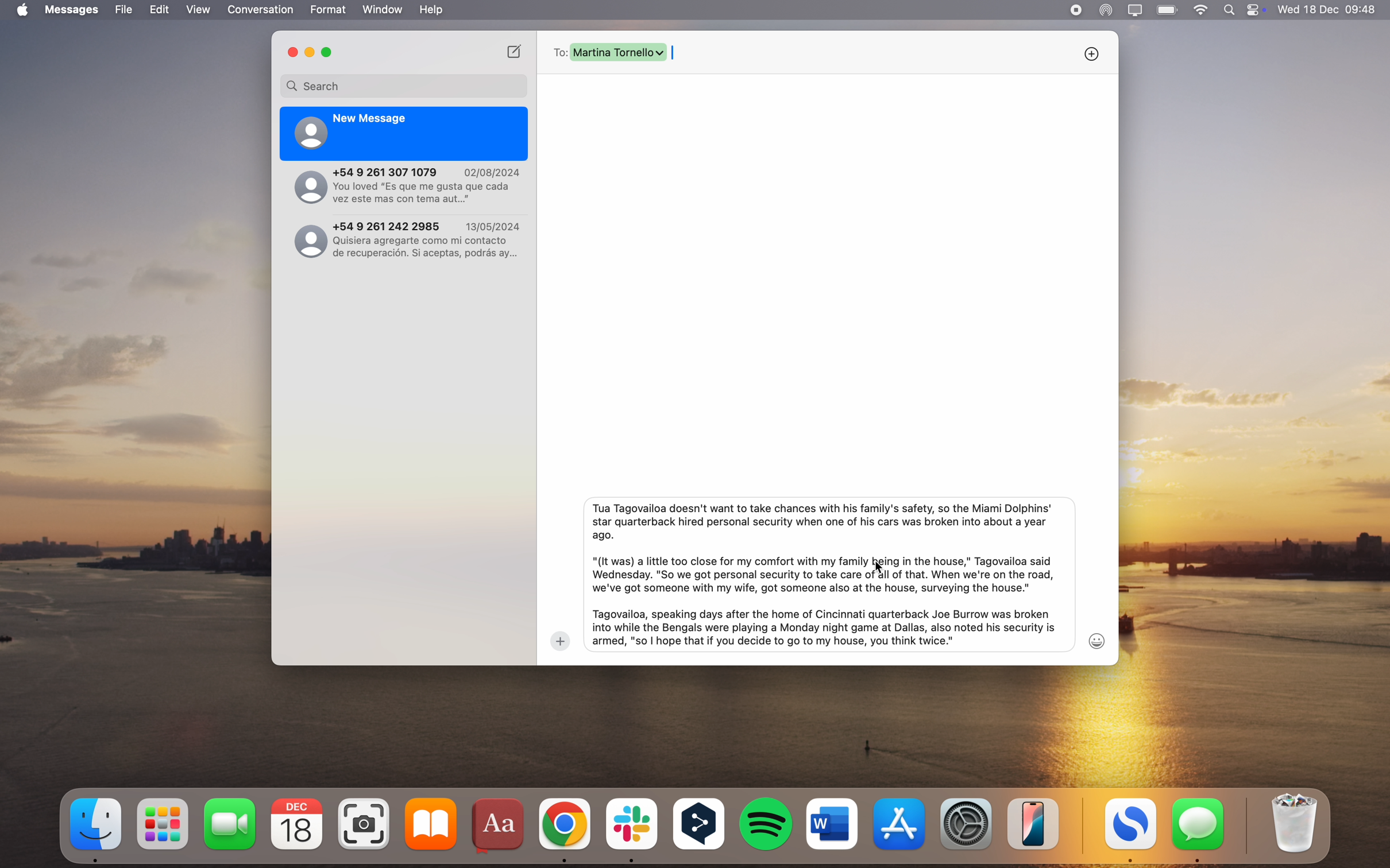 This screenshot has width=1390, height=868. Describe the element at coordinates (329, 10) in the screenshot. I see `format` at that location.